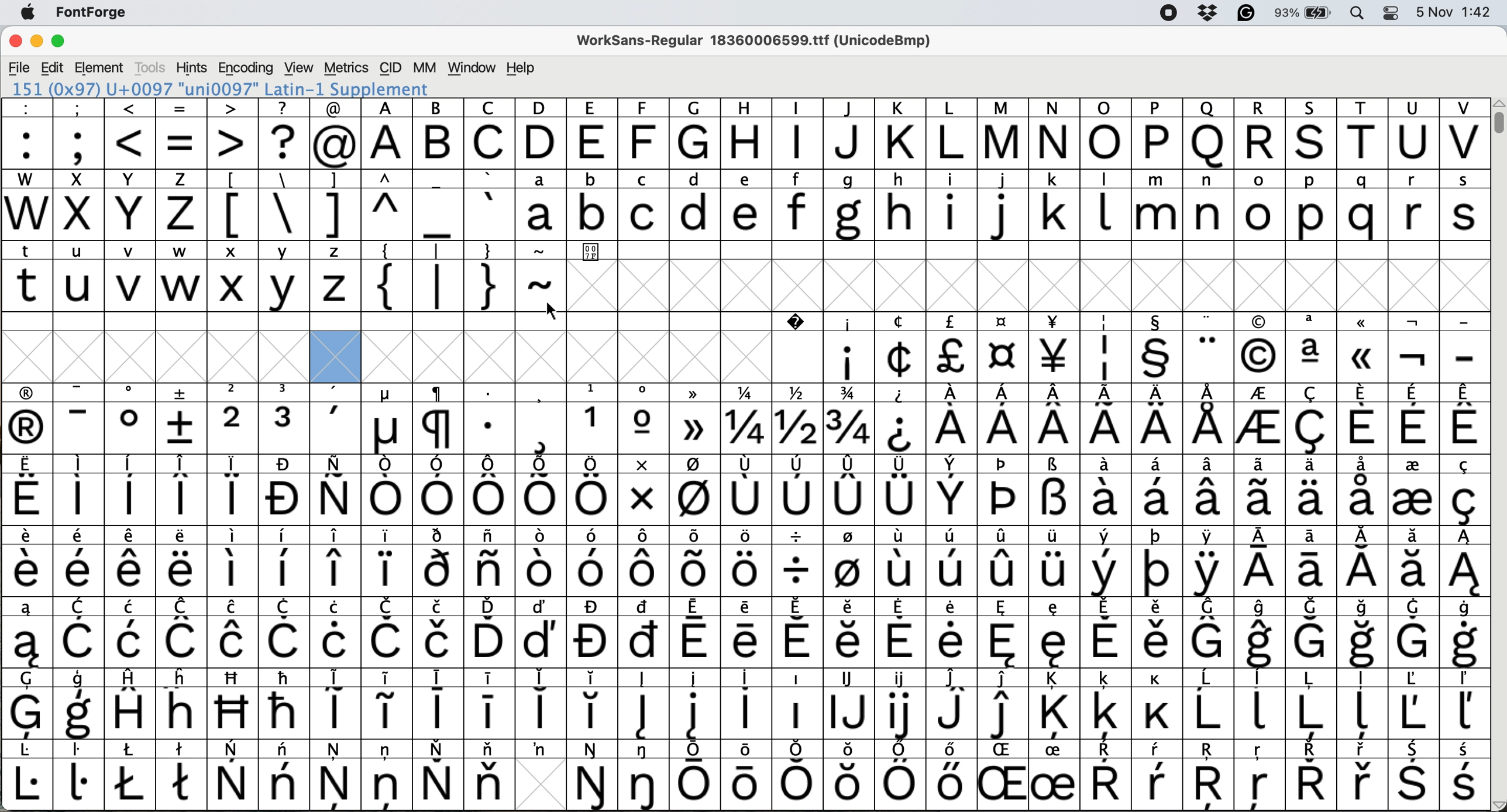 Image resolution: width=1507 pixels, height=812 pixels. Describe the element at coordinates (79, 132) in the screenshot. I see `;` at that location.